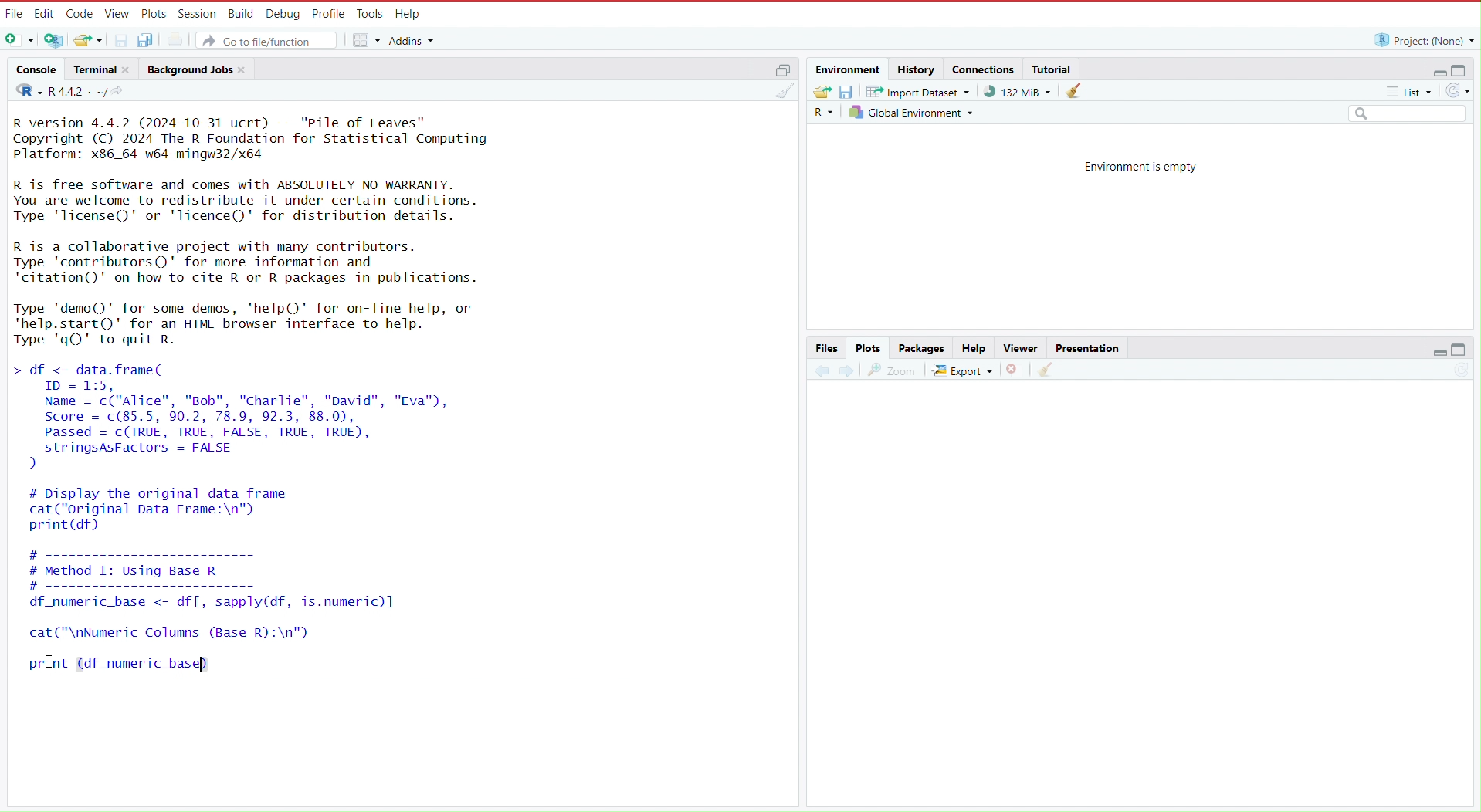 The height and width of the screenshot is (812, 1481). I want to click on New file, so click(19, 39).